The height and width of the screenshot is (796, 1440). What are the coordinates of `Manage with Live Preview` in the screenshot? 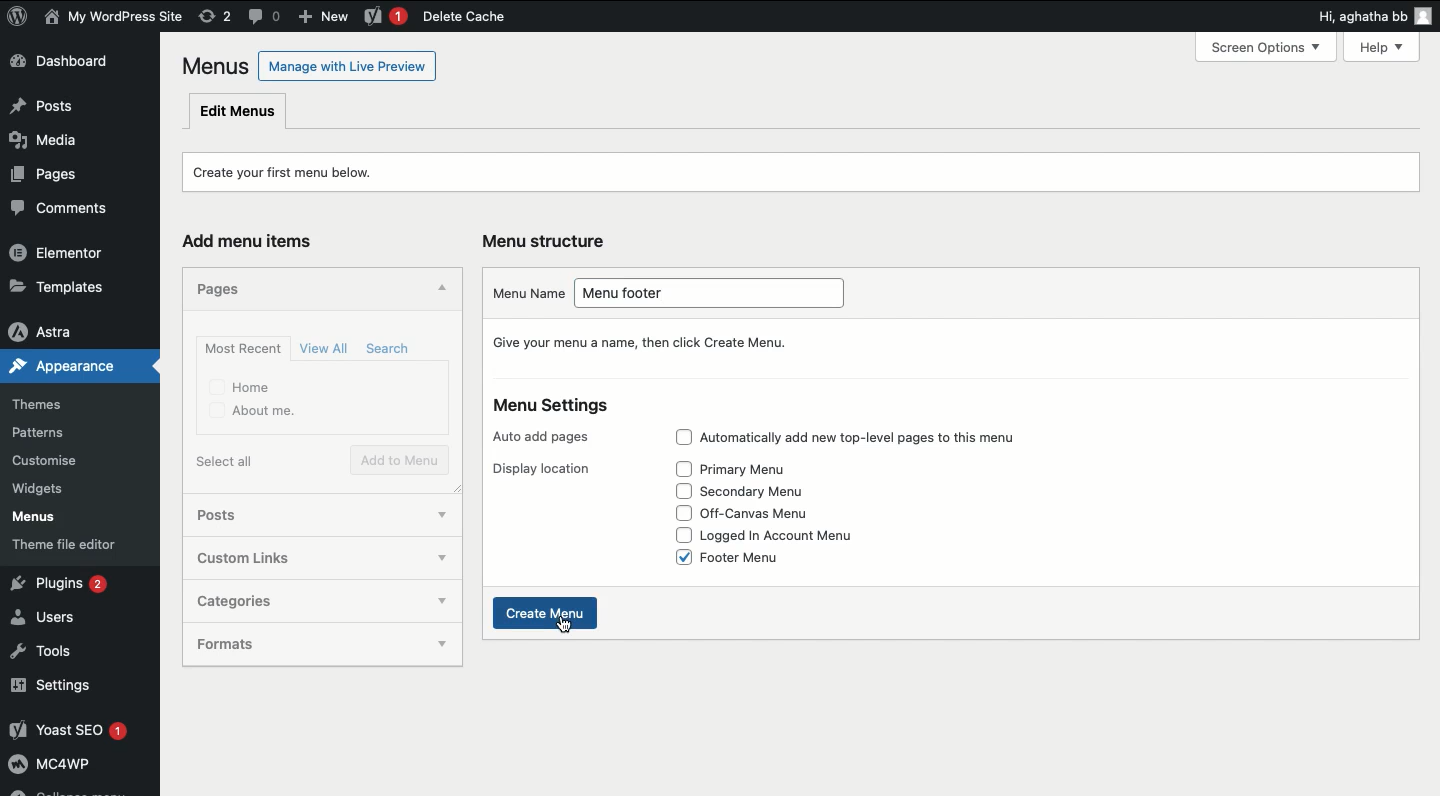 It's located at (347, 65).